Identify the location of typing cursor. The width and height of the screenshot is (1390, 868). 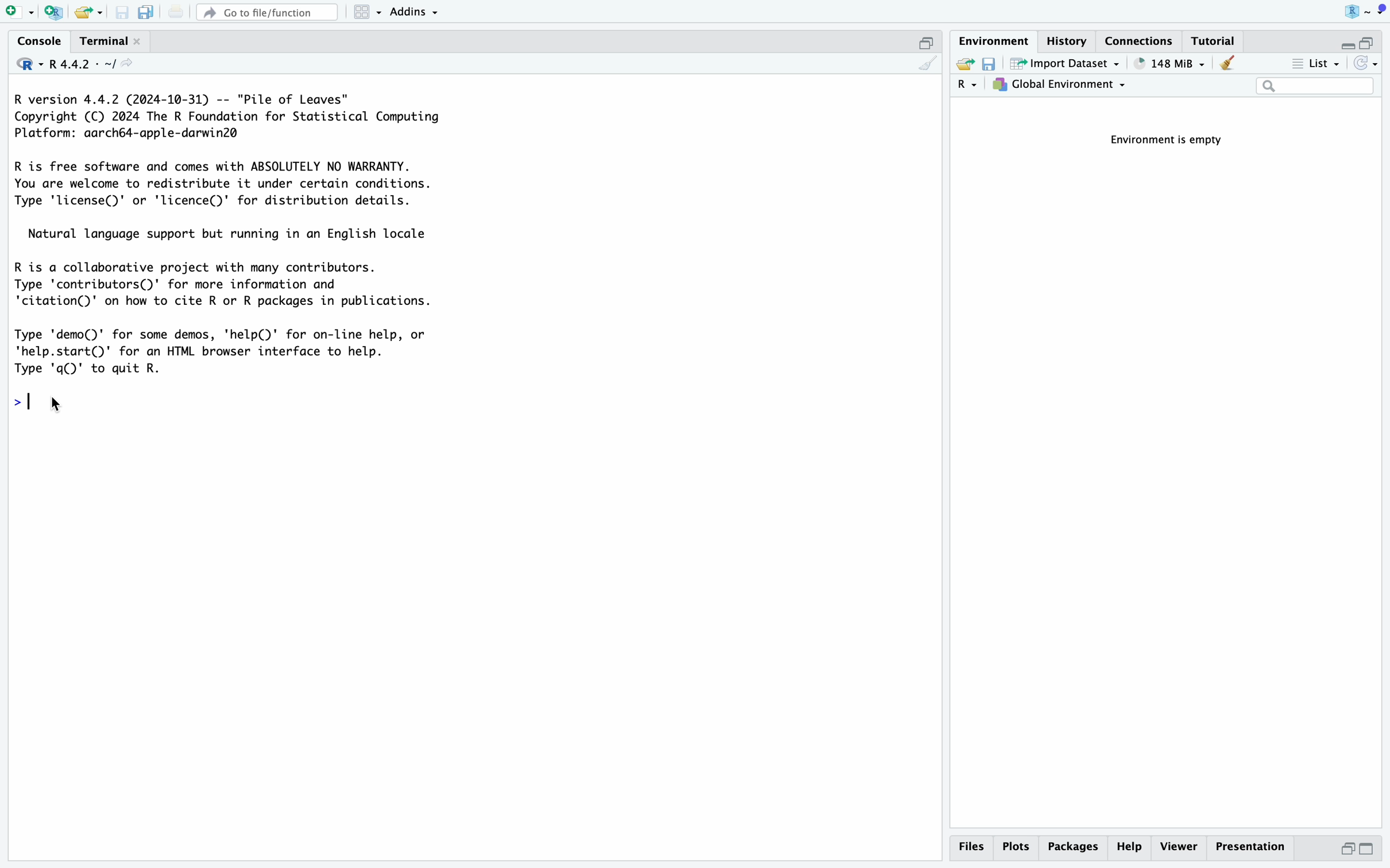
(34, 400).